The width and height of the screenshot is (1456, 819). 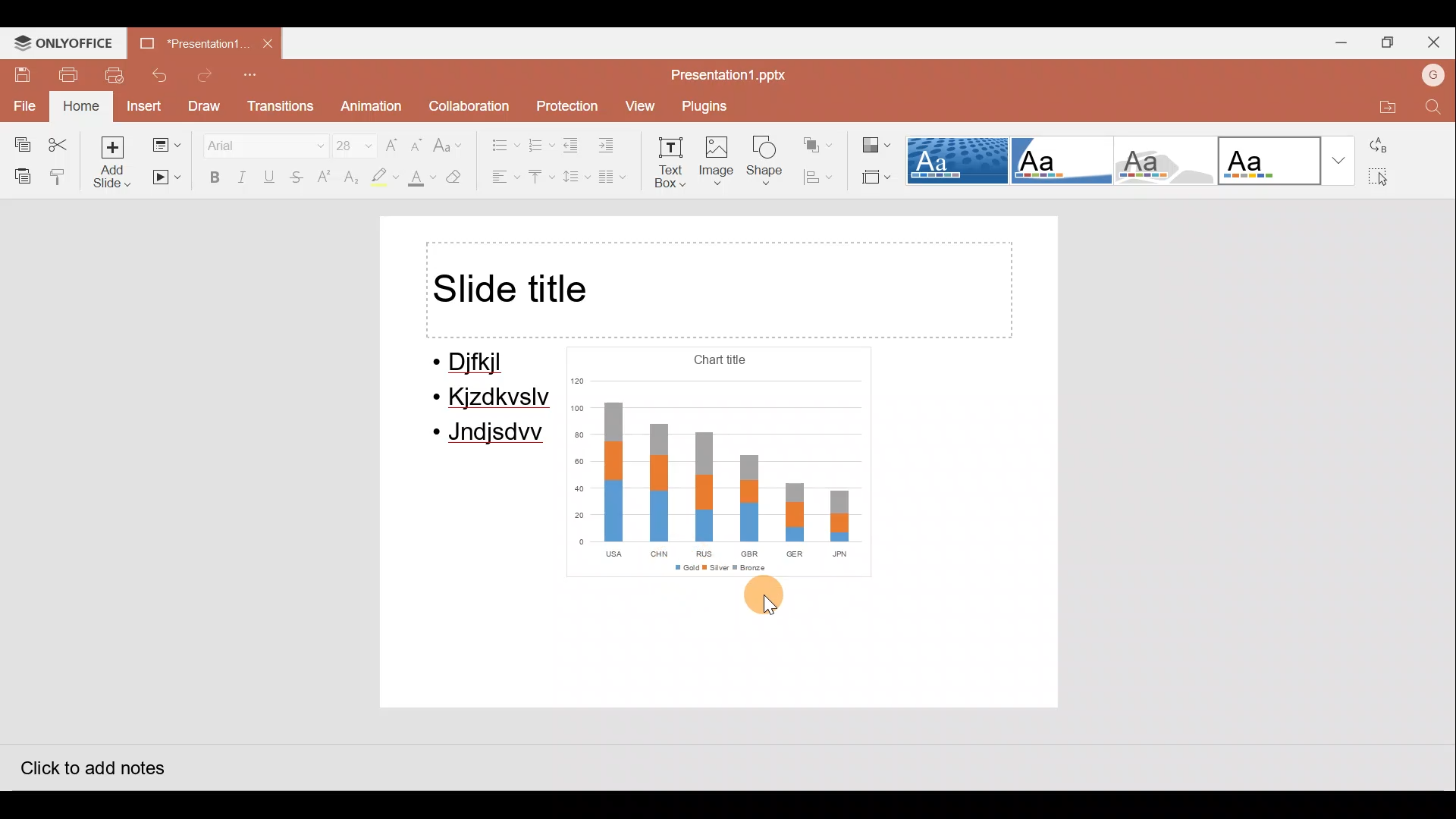 I want to click on Line spacing, so click(x=574, y=177).